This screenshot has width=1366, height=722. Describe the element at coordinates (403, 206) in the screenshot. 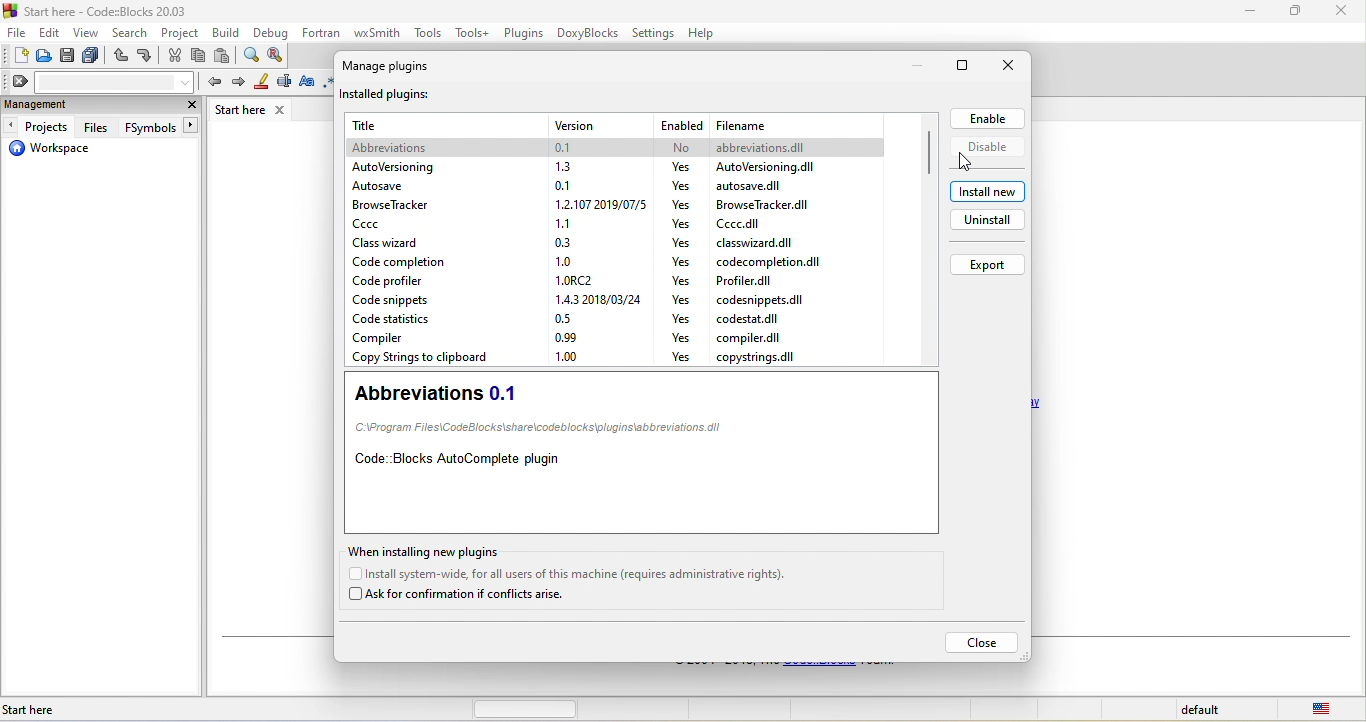

I see `browse tracker` at that location.